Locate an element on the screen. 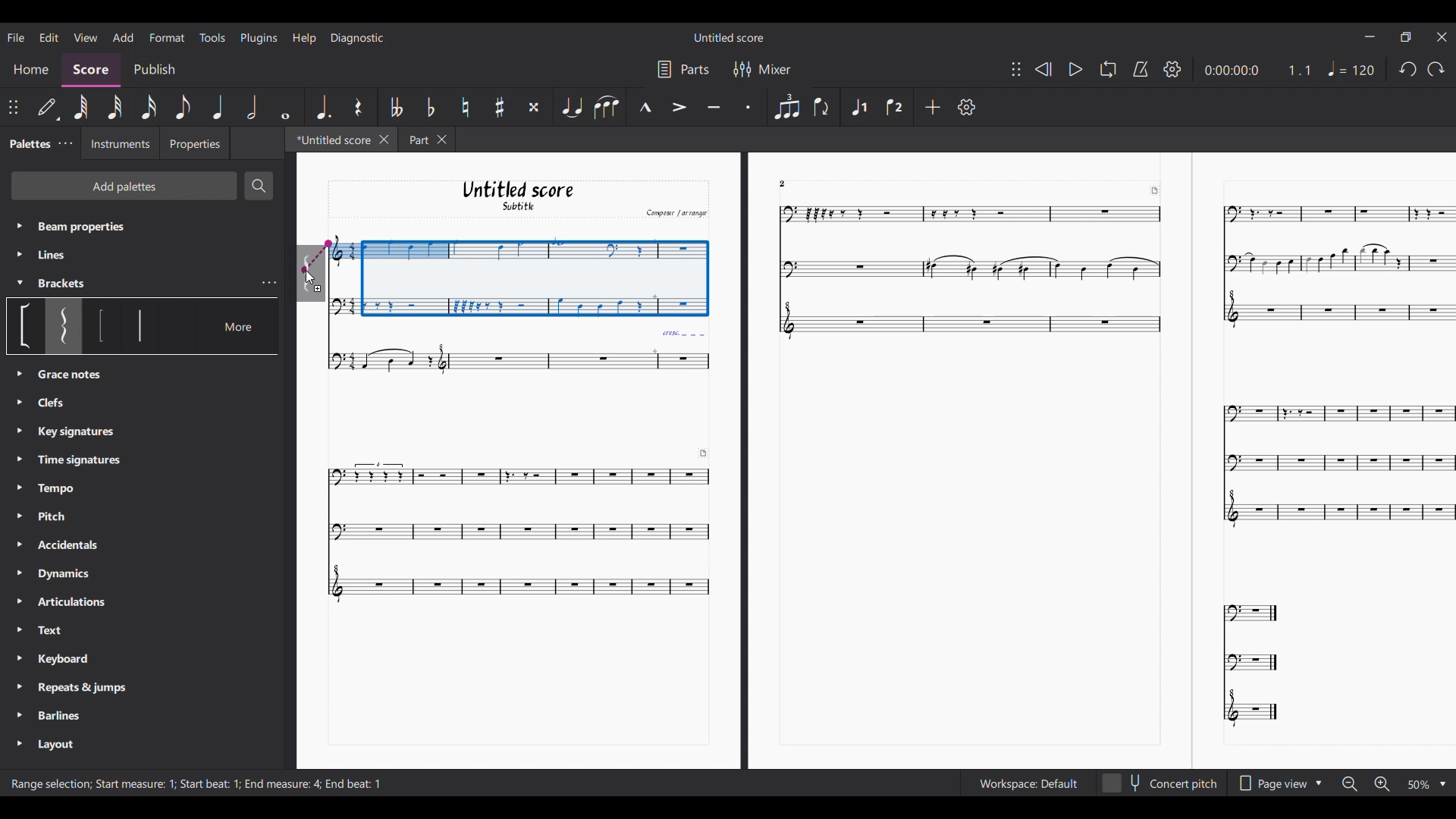 Image resolution: width=1456 pixels, height=819 pixels. Selection made by cursor is located at coordinates (520, 293).